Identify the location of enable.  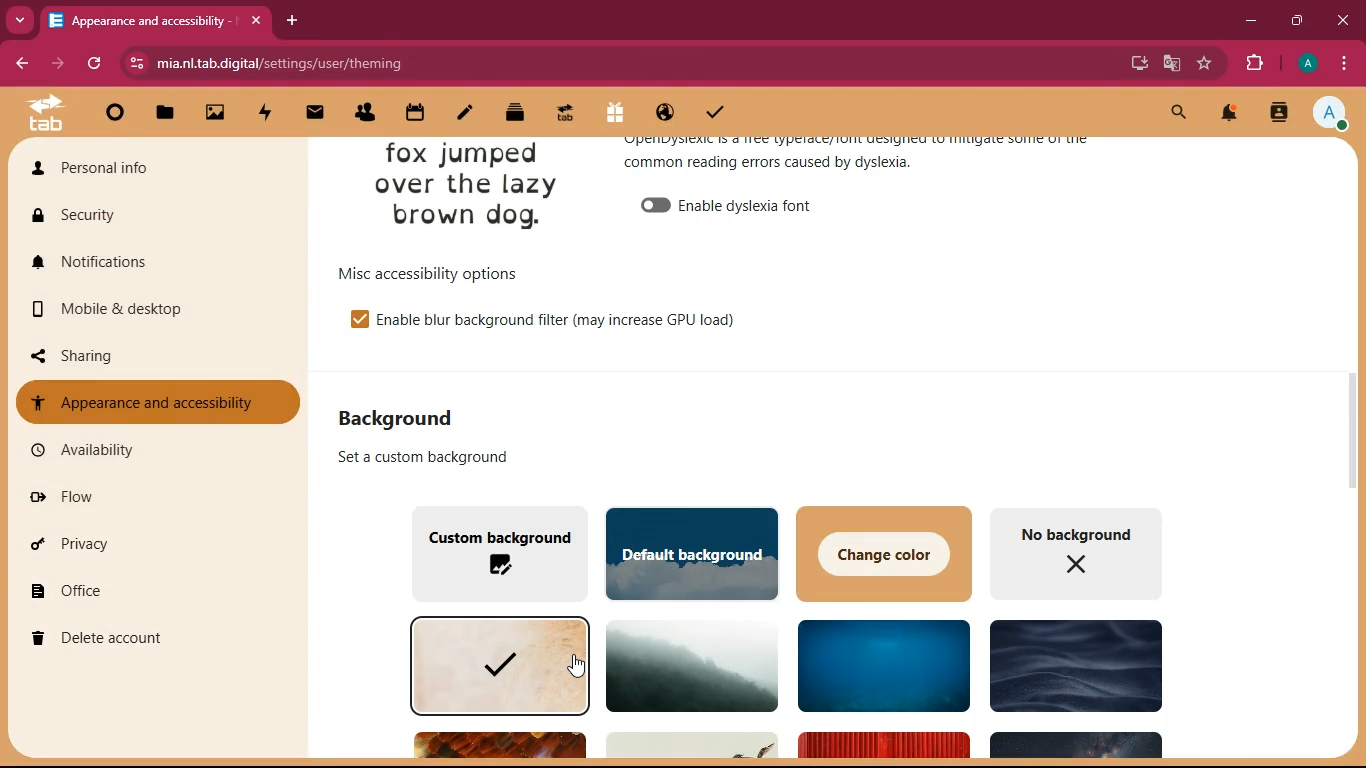
(760, 207).